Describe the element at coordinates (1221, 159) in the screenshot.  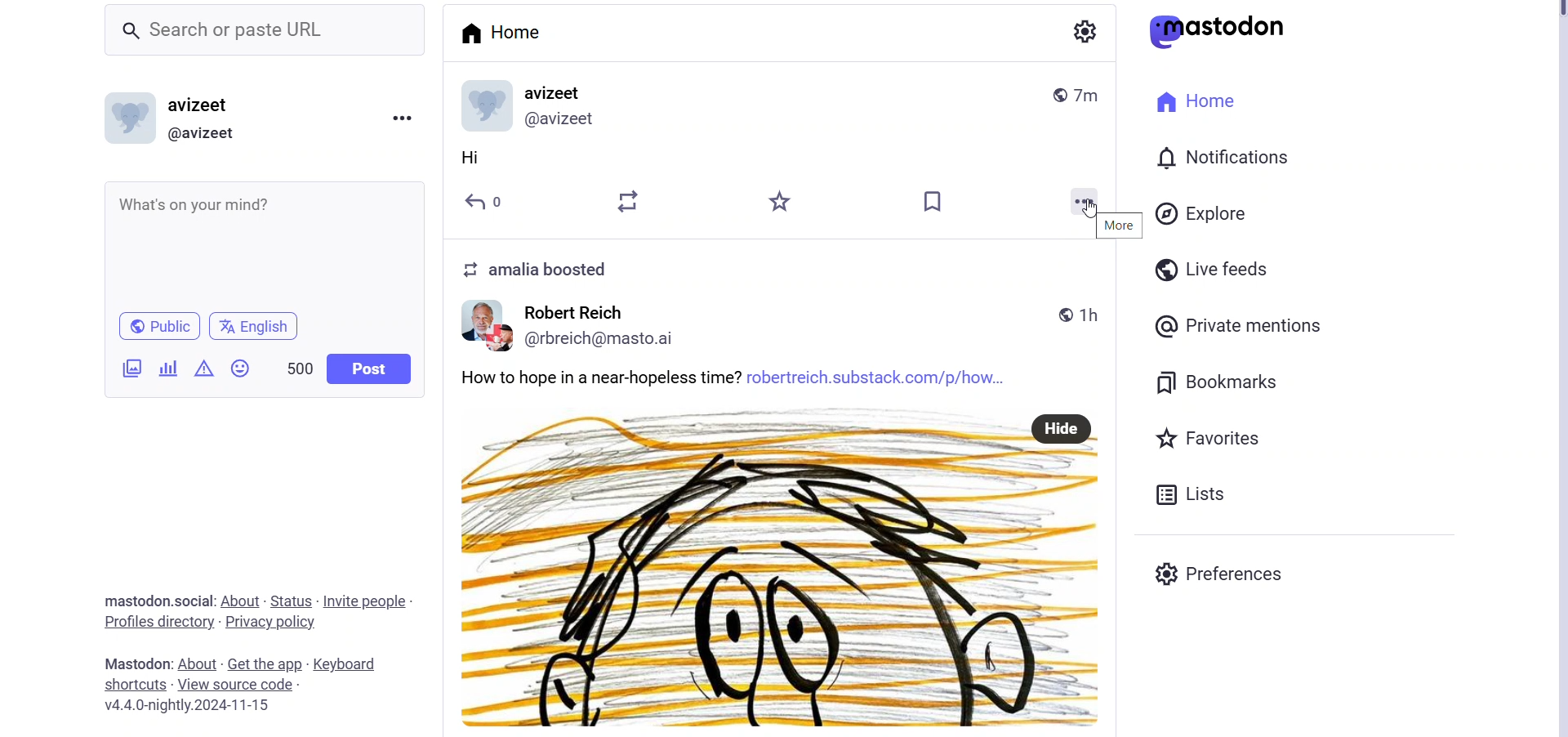
I see `Notification` at that location.